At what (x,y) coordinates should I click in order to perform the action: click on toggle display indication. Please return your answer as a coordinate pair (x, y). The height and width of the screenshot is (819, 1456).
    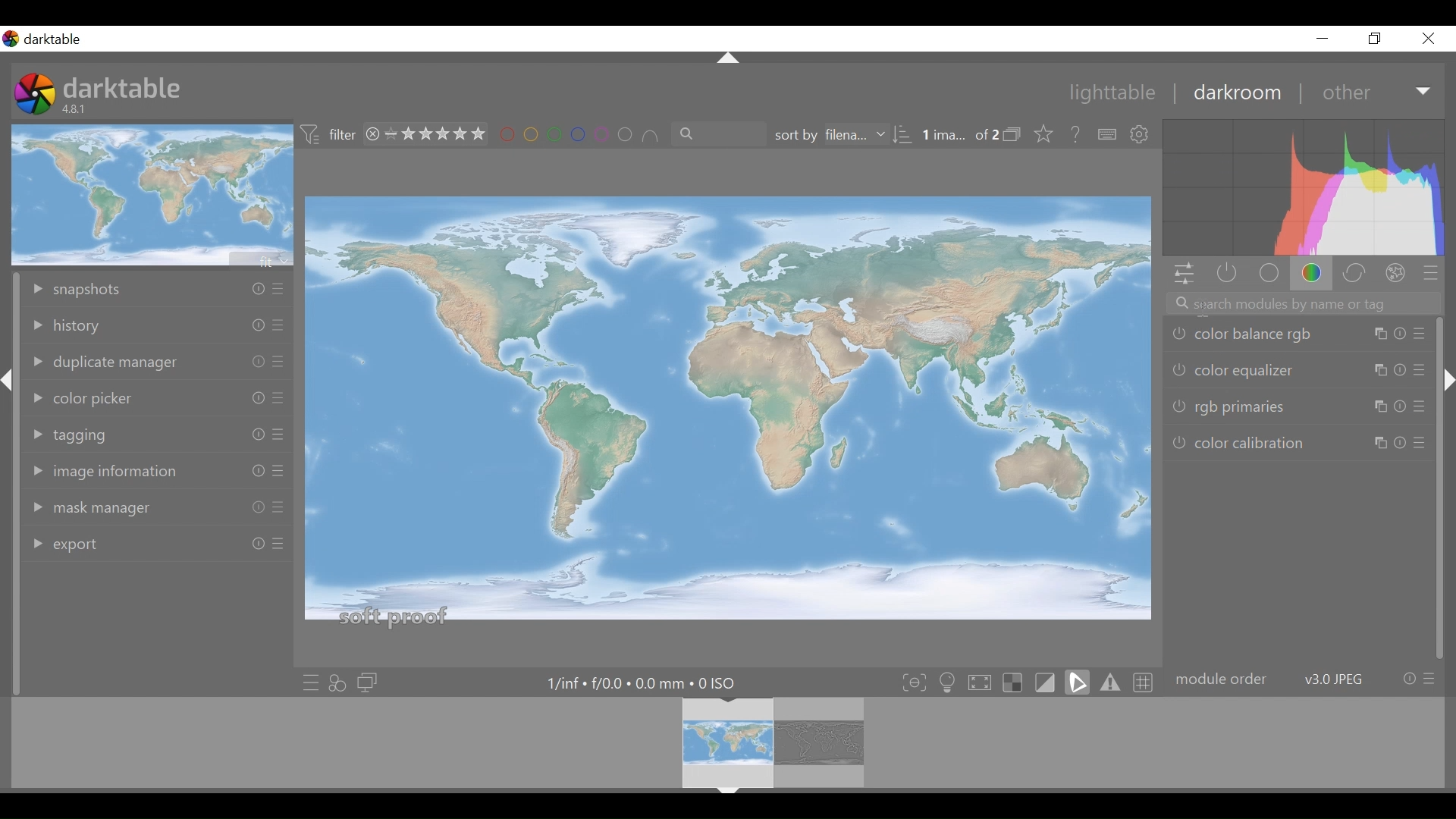
    Looking at the image, I should click on (1048, 682).